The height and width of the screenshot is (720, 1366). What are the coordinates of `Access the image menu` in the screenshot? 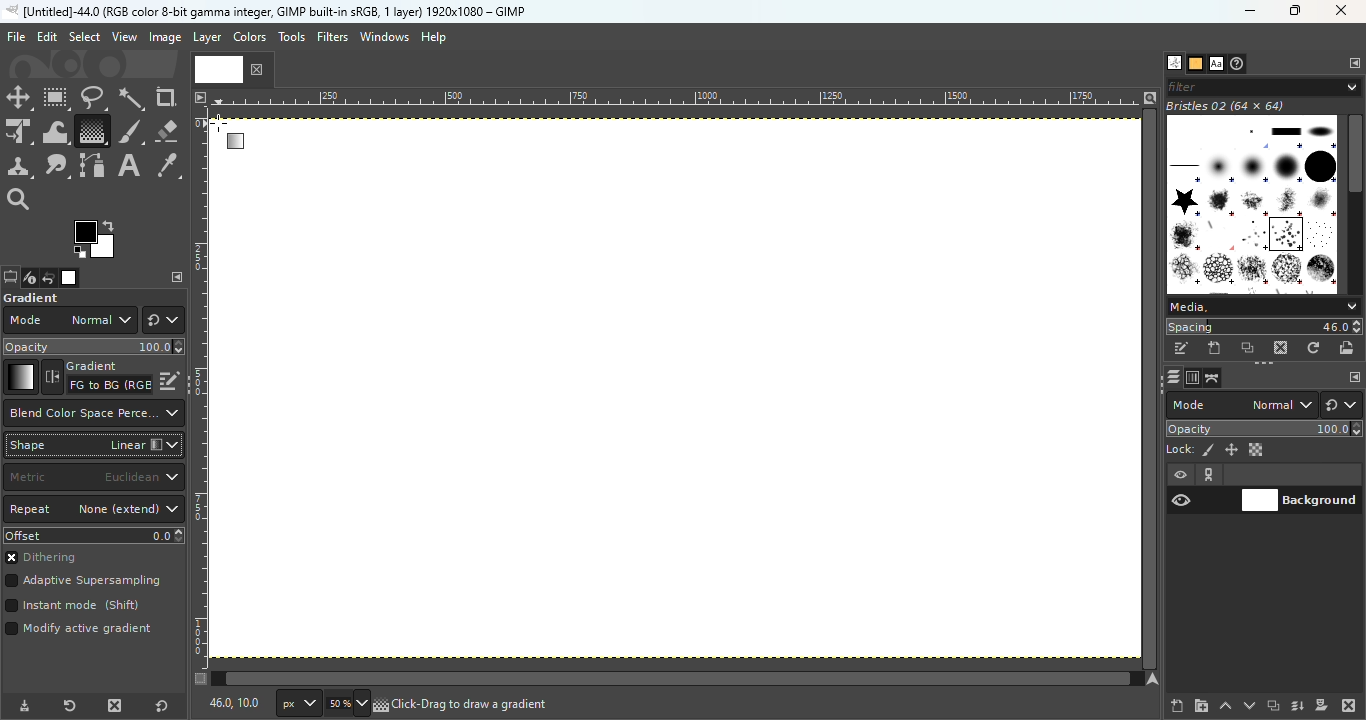 It's located at (199, 95).